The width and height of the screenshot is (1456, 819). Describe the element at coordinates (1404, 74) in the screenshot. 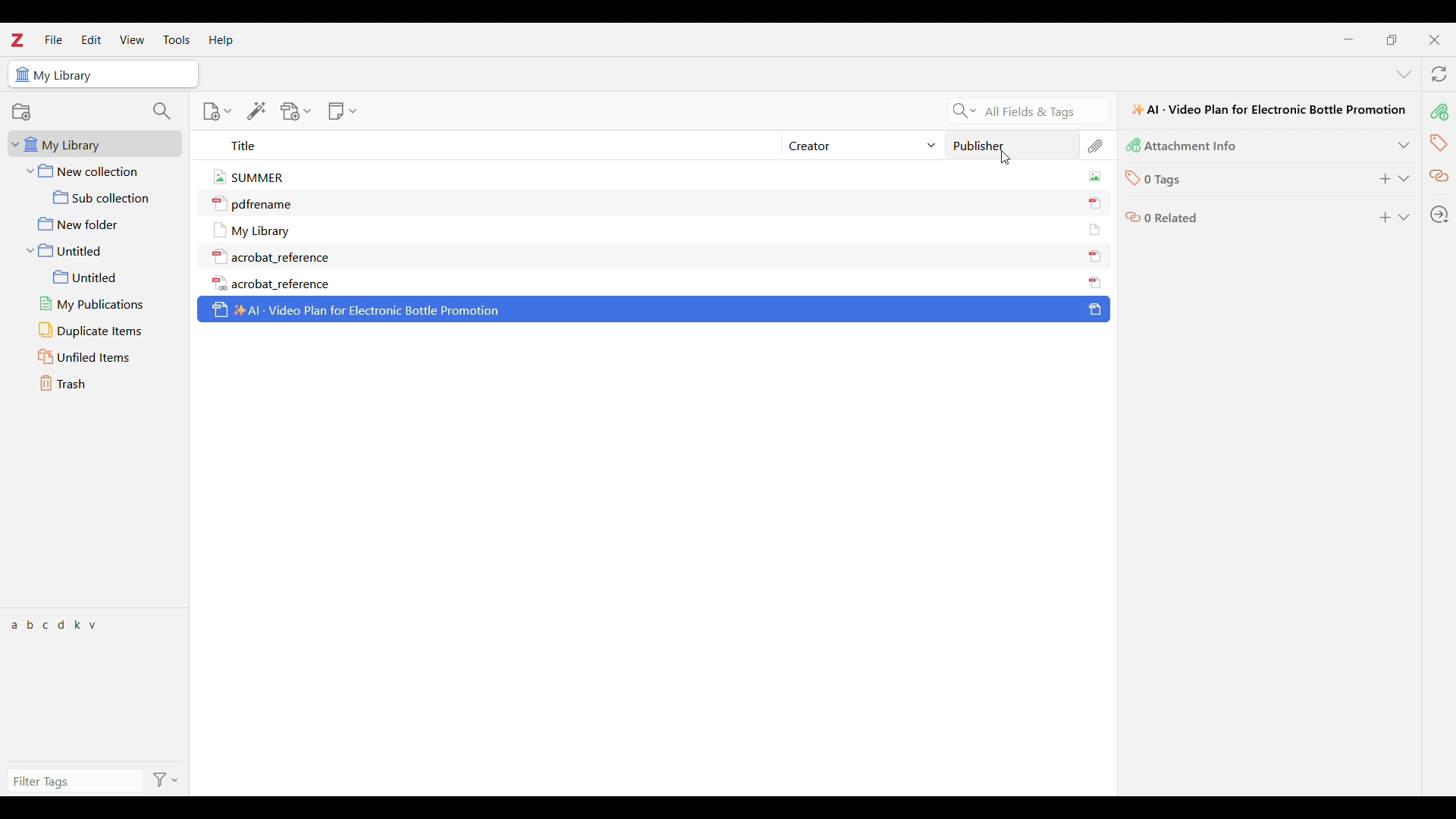

I see `List all tabs` at that location.